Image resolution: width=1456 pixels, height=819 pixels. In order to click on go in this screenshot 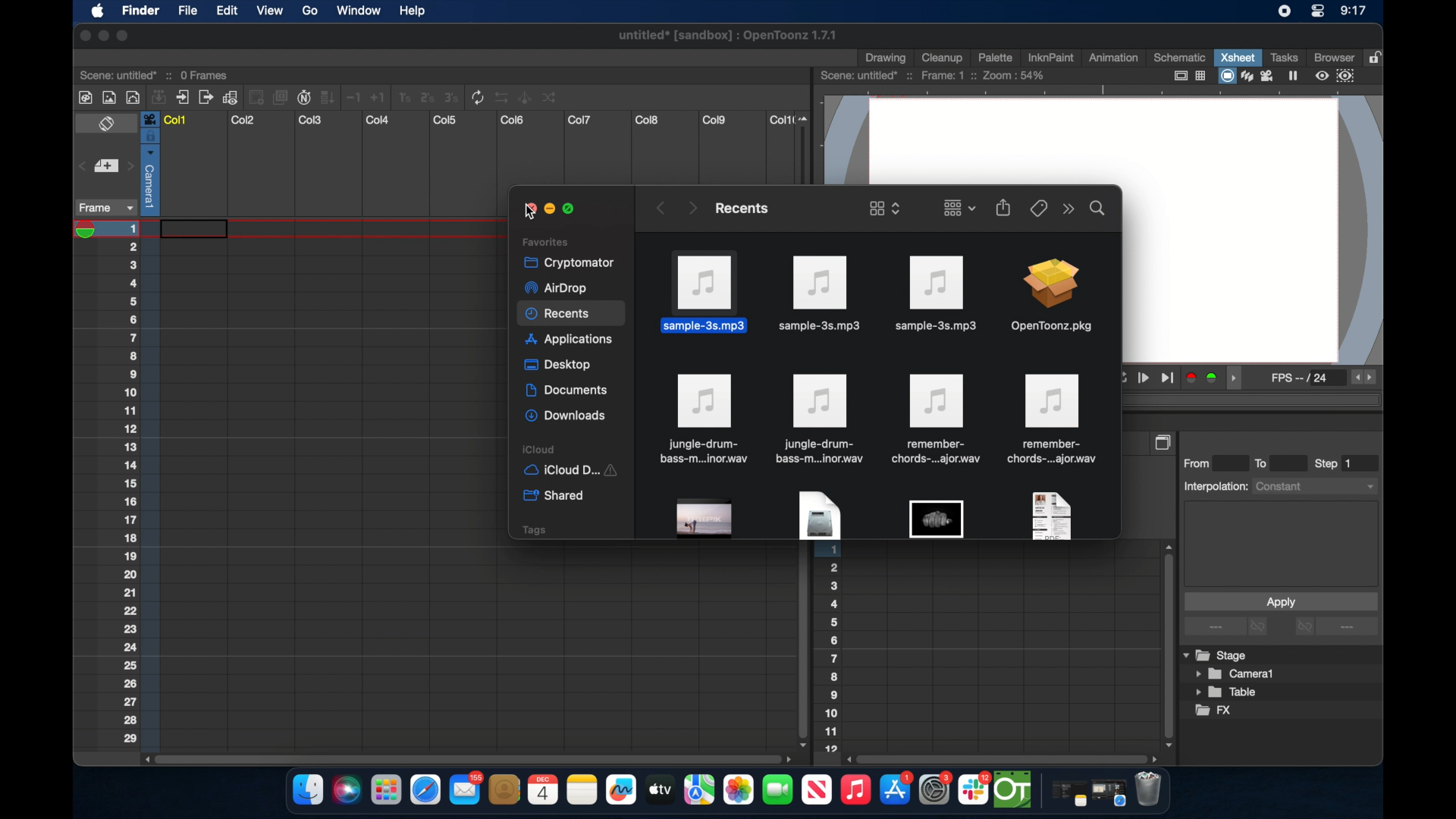, I will do `click(309, 11)`.